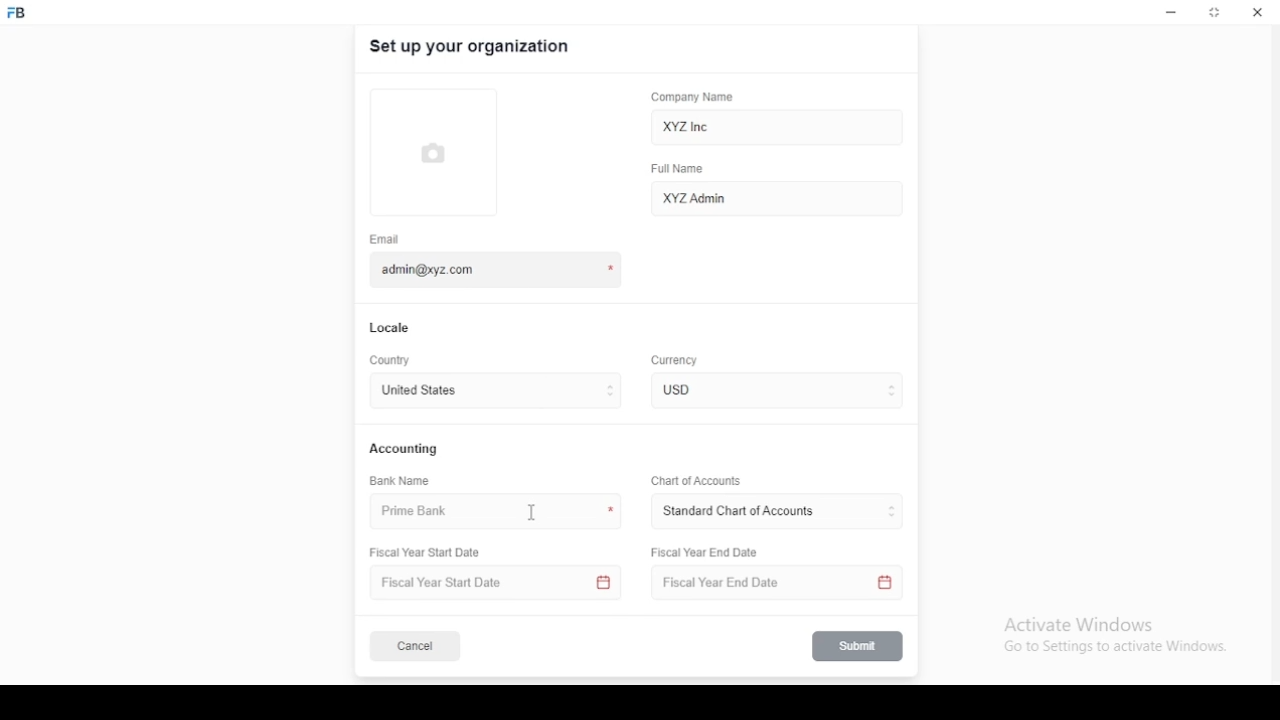  What do you see at coordinates (534, 513) in the screenshot?
I see `mouse pointer` at bounding box center [534, 513].